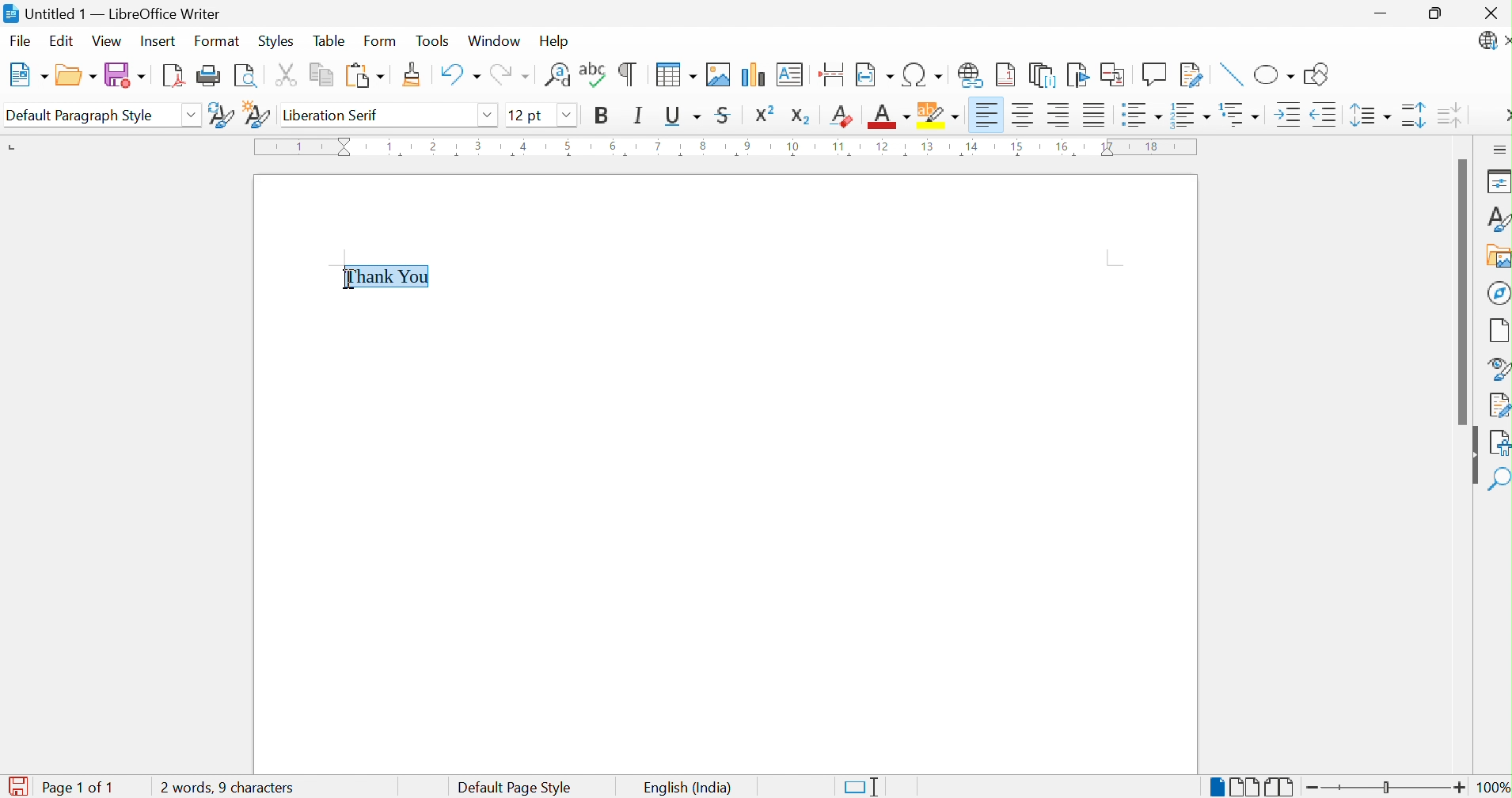  I want to click on Find, so click(1499, 481).